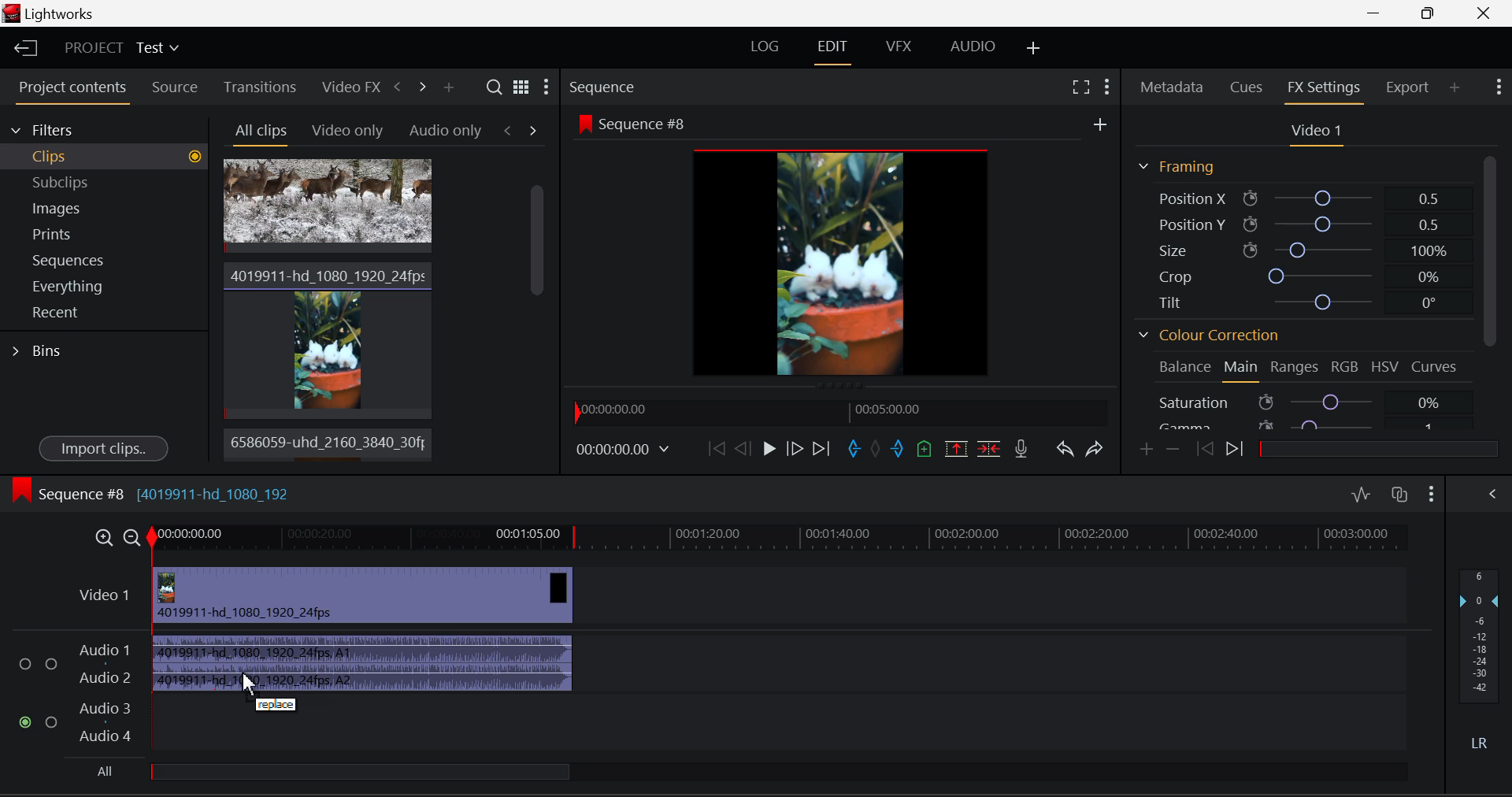  I want to click on Cues, so click(1249, 85).